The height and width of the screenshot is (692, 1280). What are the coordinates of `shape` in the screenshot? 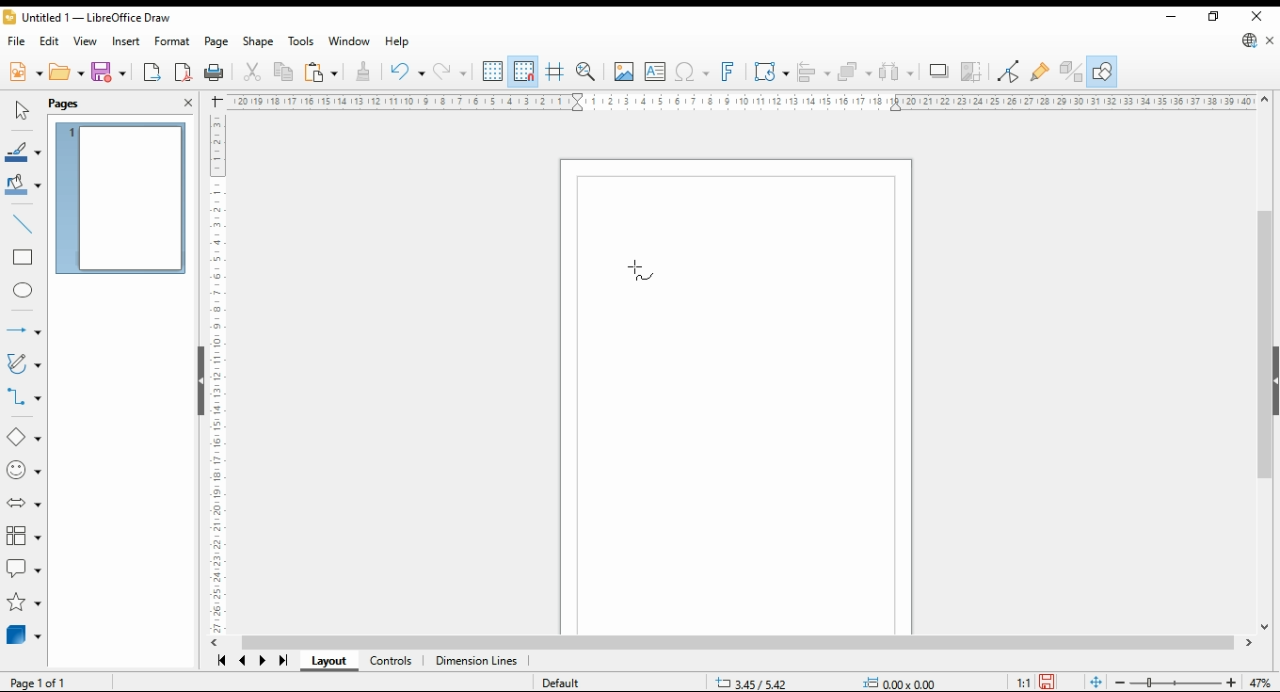 It's located at (257, 41).